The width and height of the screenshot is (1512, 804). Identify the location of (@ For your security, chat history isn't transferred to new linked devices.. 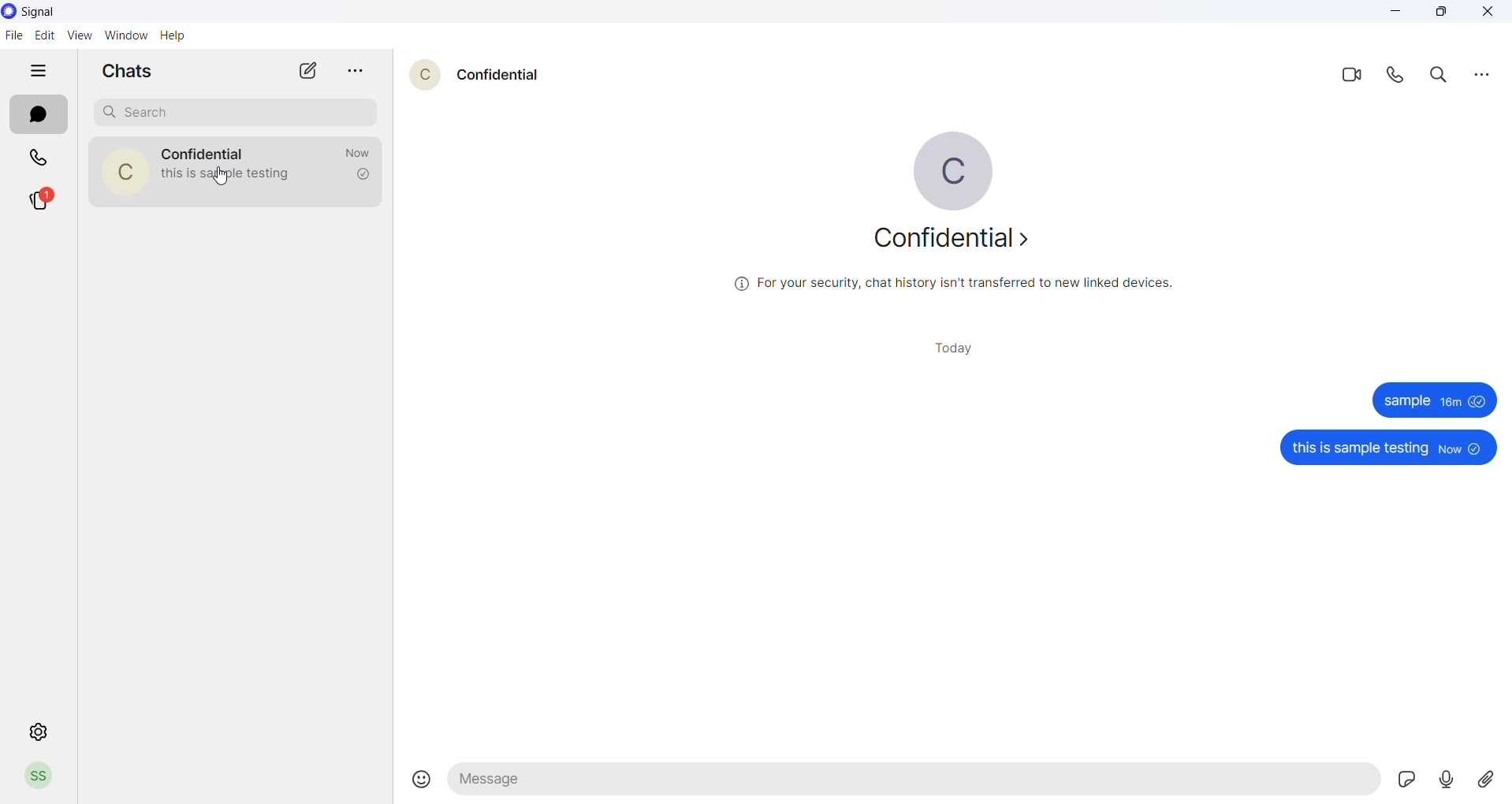
(954, 283).